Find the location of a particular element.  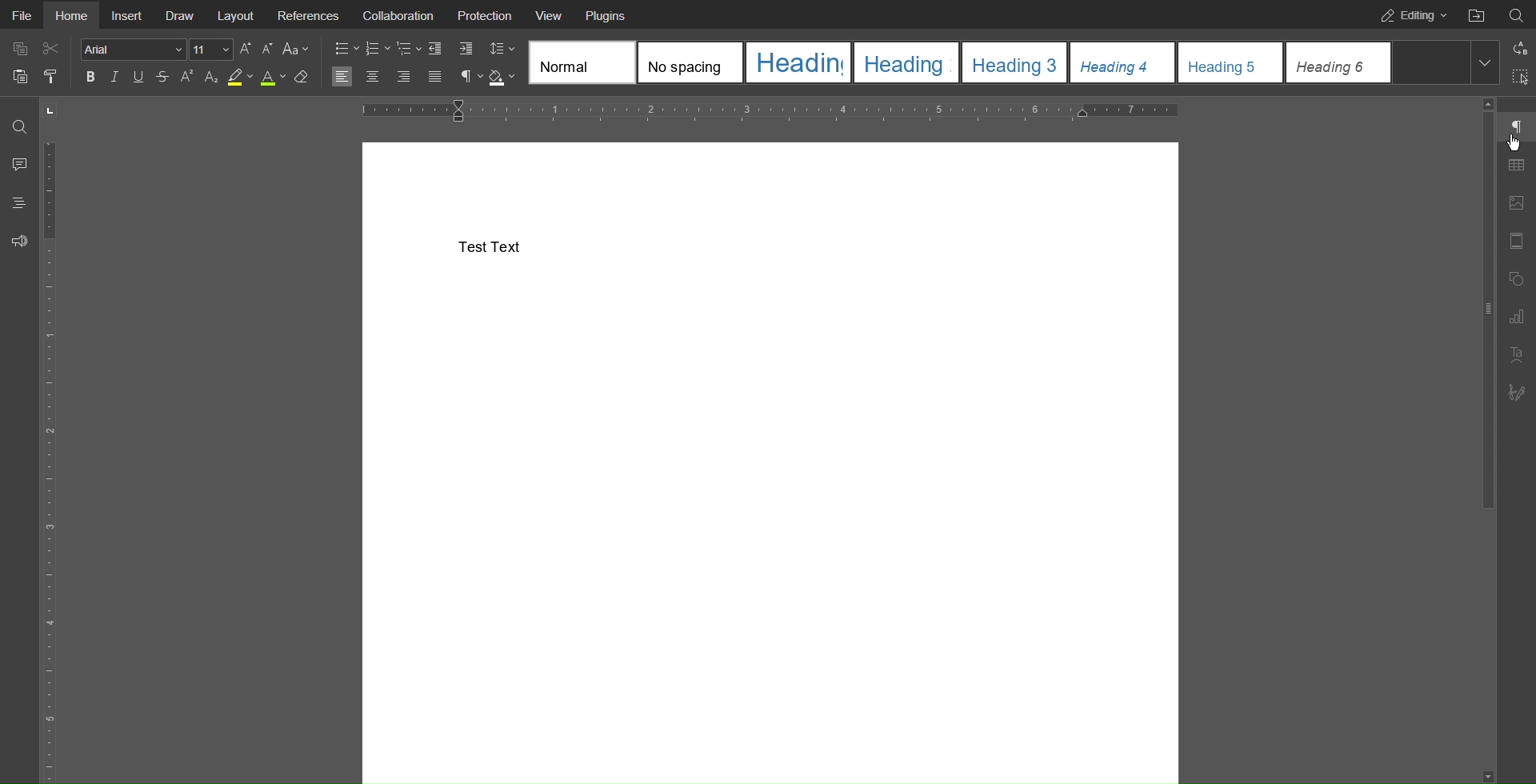

Table Settings is located at coordinates (1516, 166).